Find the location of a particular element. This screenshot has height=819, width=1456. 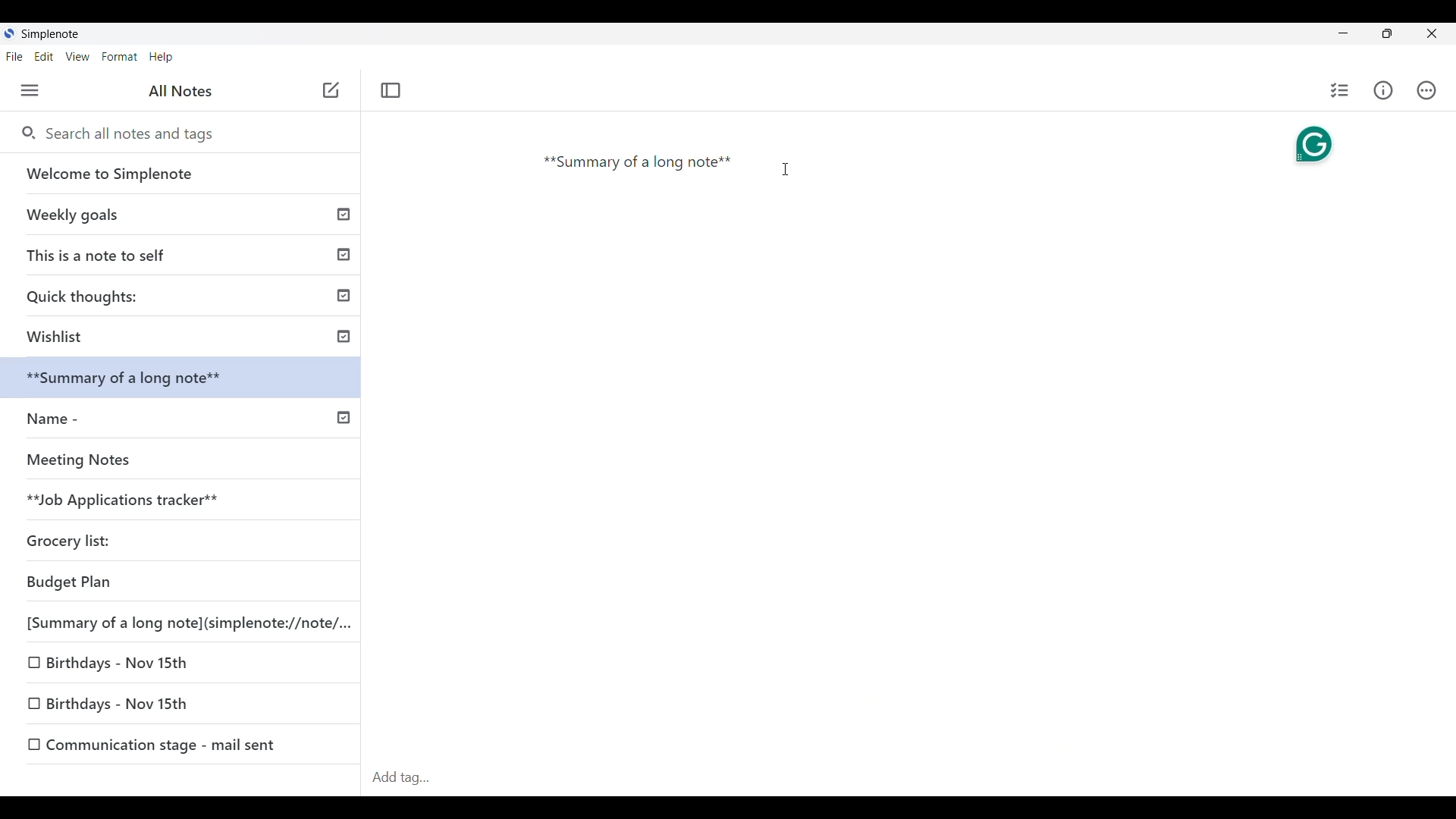

Minimize is located at coordinates (1344, 33).